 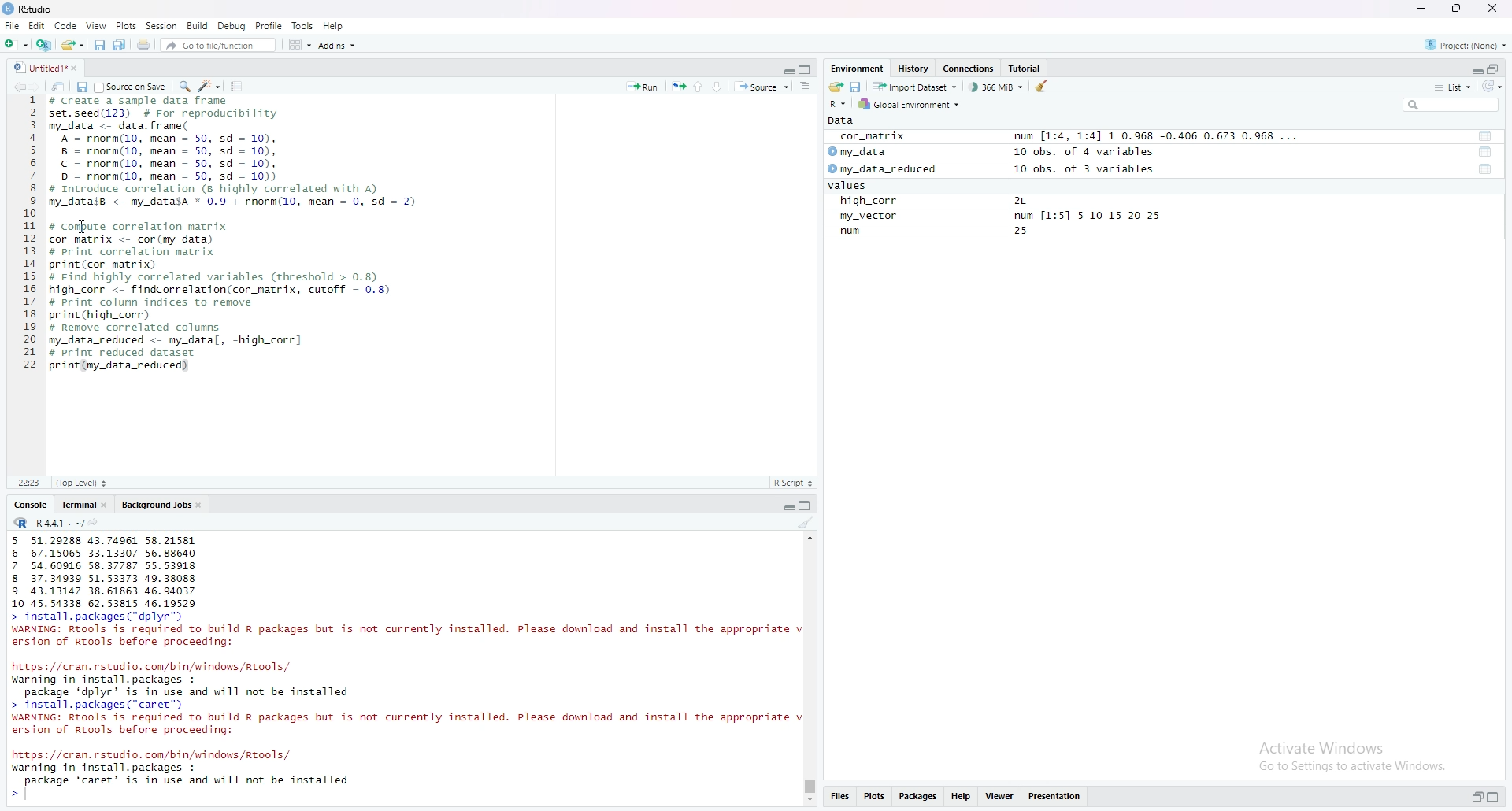 What do you see at coordinates (812, 669) in the screenshot?
I see `scrollbar` at bounding box center [812, 669].